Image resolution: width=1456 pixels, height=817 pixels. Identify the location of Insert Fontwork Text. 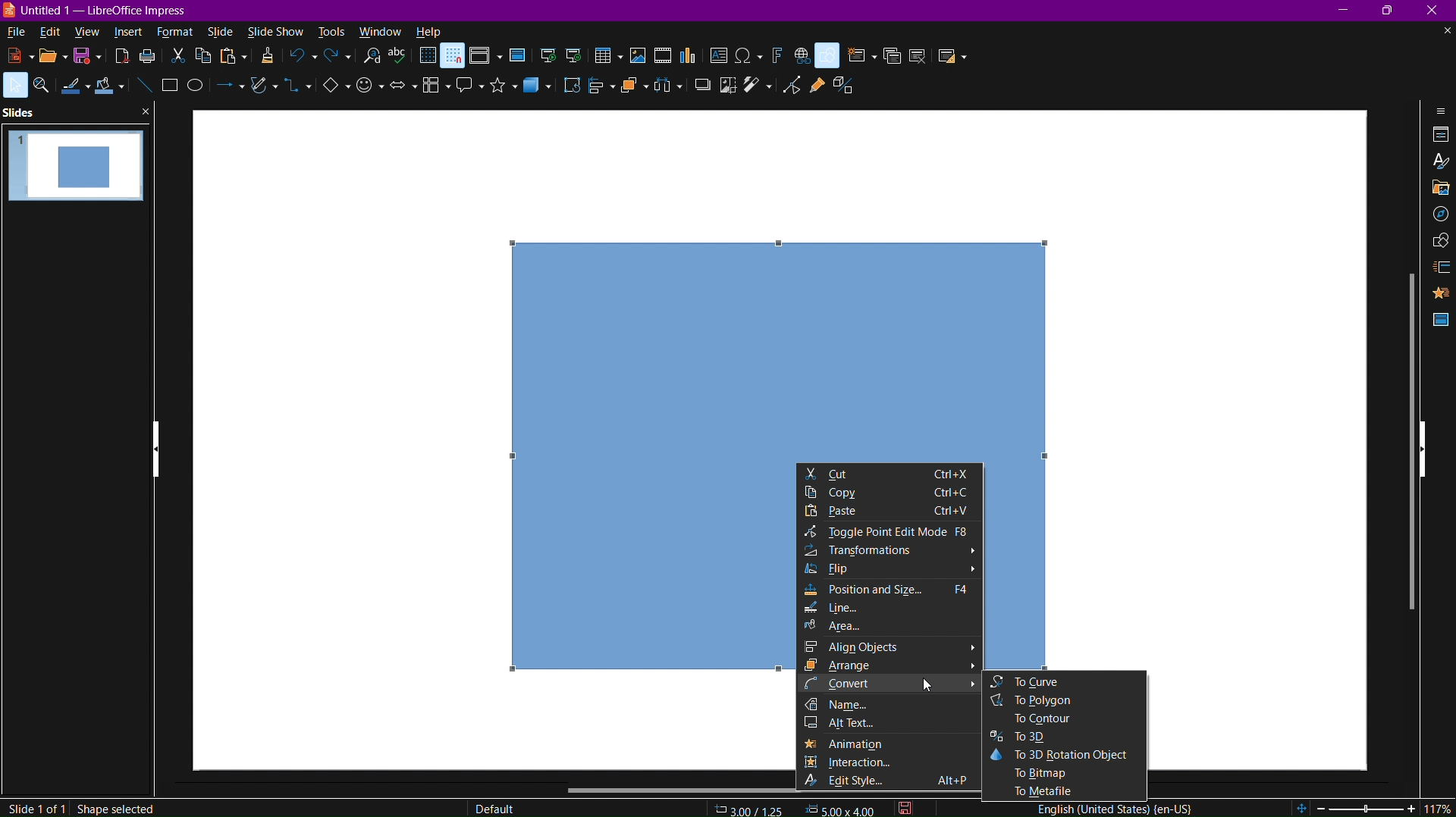
(775, 55).